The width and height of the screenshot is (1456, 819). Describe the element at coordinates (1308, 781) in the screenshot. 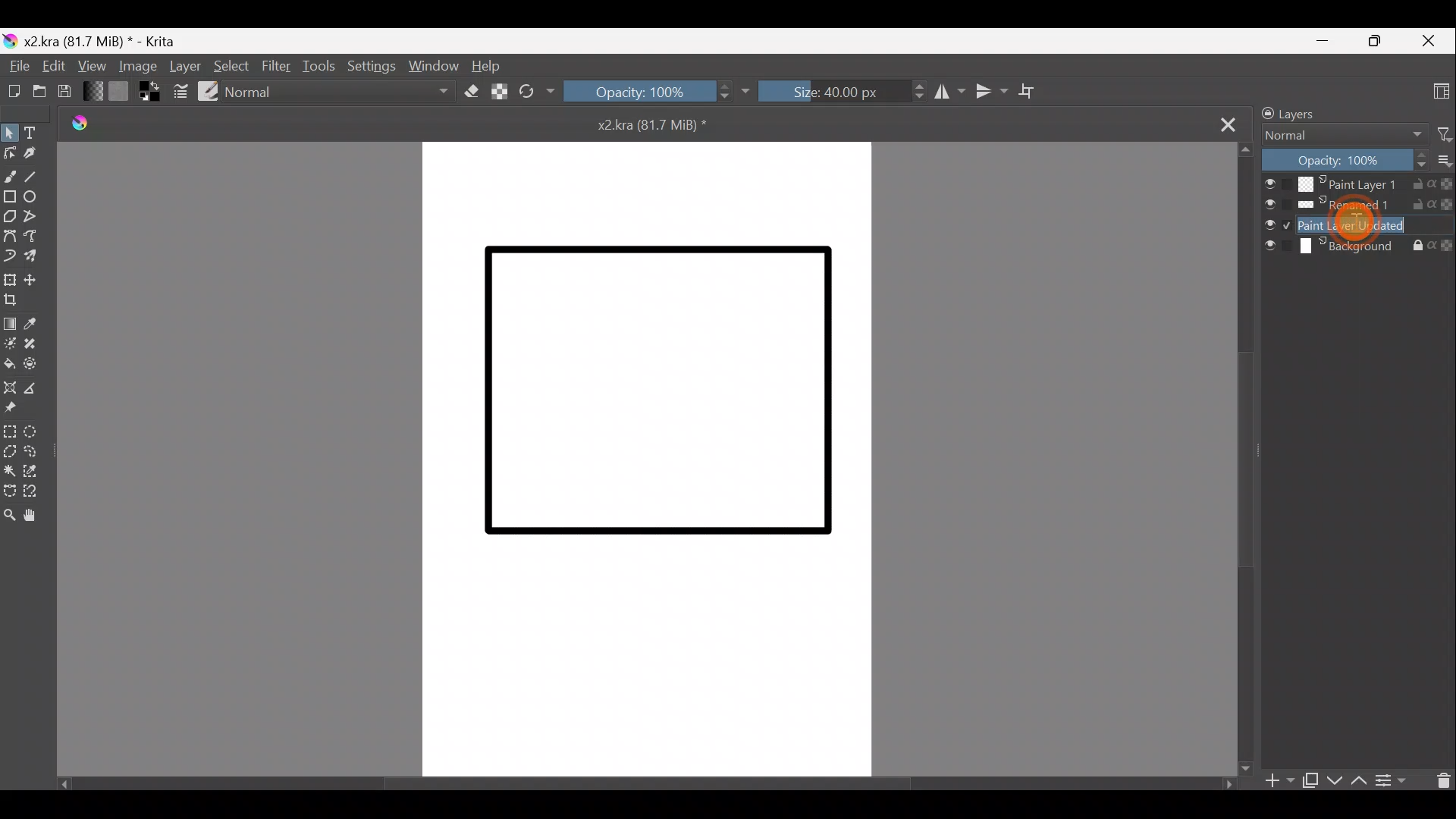

I see `Duplicate layer or mask` at that location.